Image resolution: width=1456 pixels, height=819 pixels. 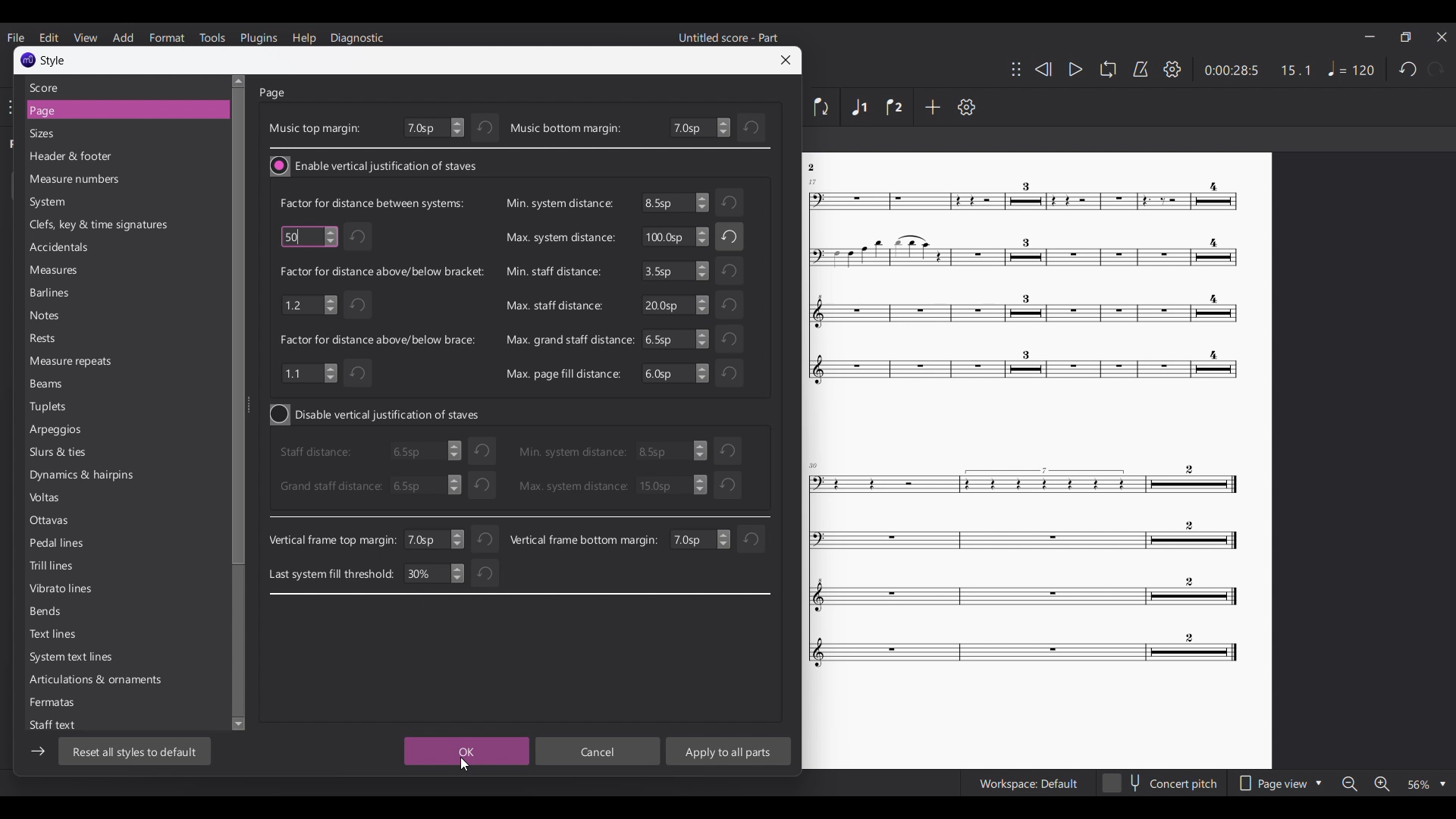 I want to click on Plugins menu, so click(x=259, y=38).